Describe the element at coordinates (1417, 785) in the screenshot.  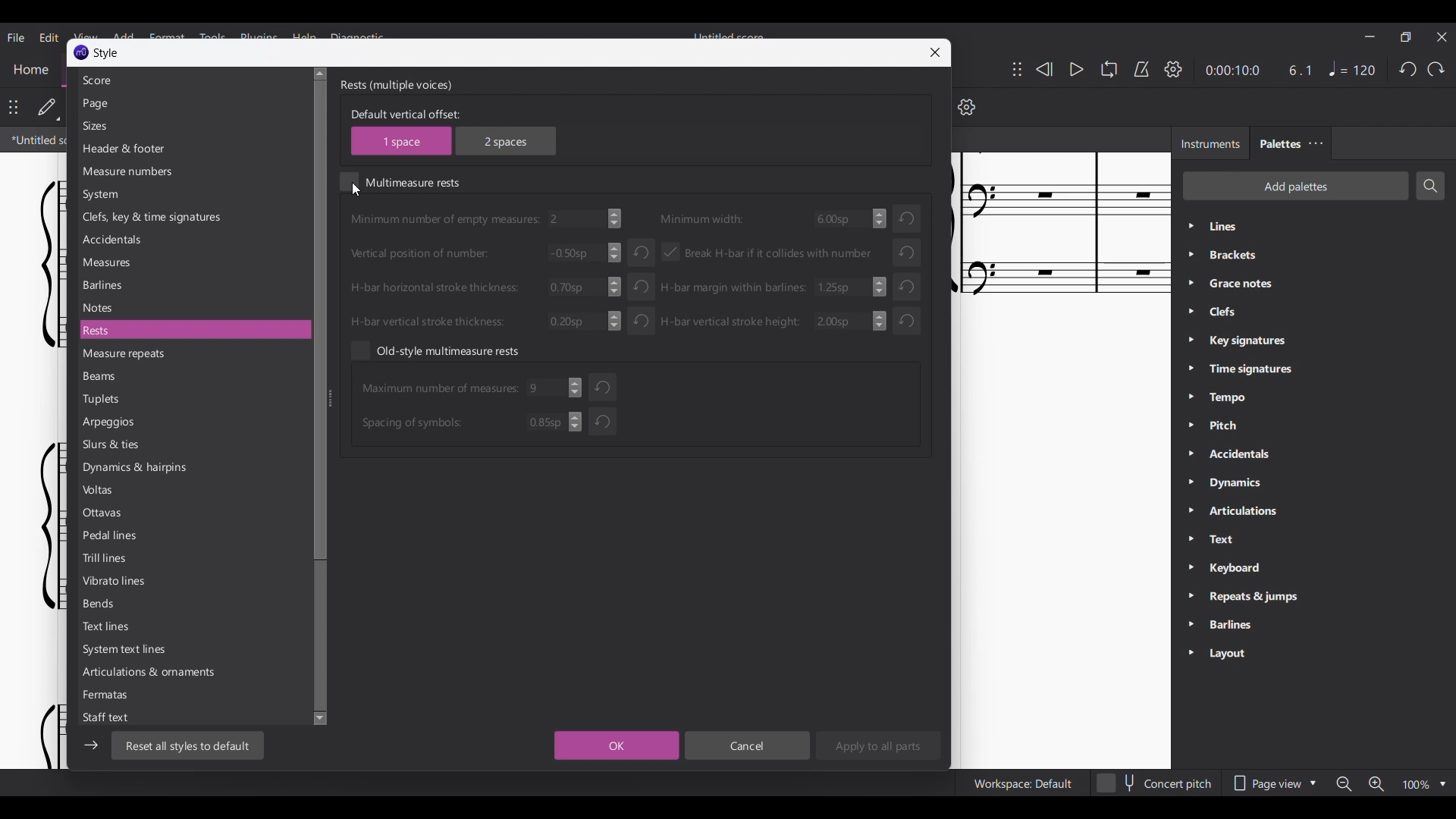
I see `Current zoom factor` at that location.